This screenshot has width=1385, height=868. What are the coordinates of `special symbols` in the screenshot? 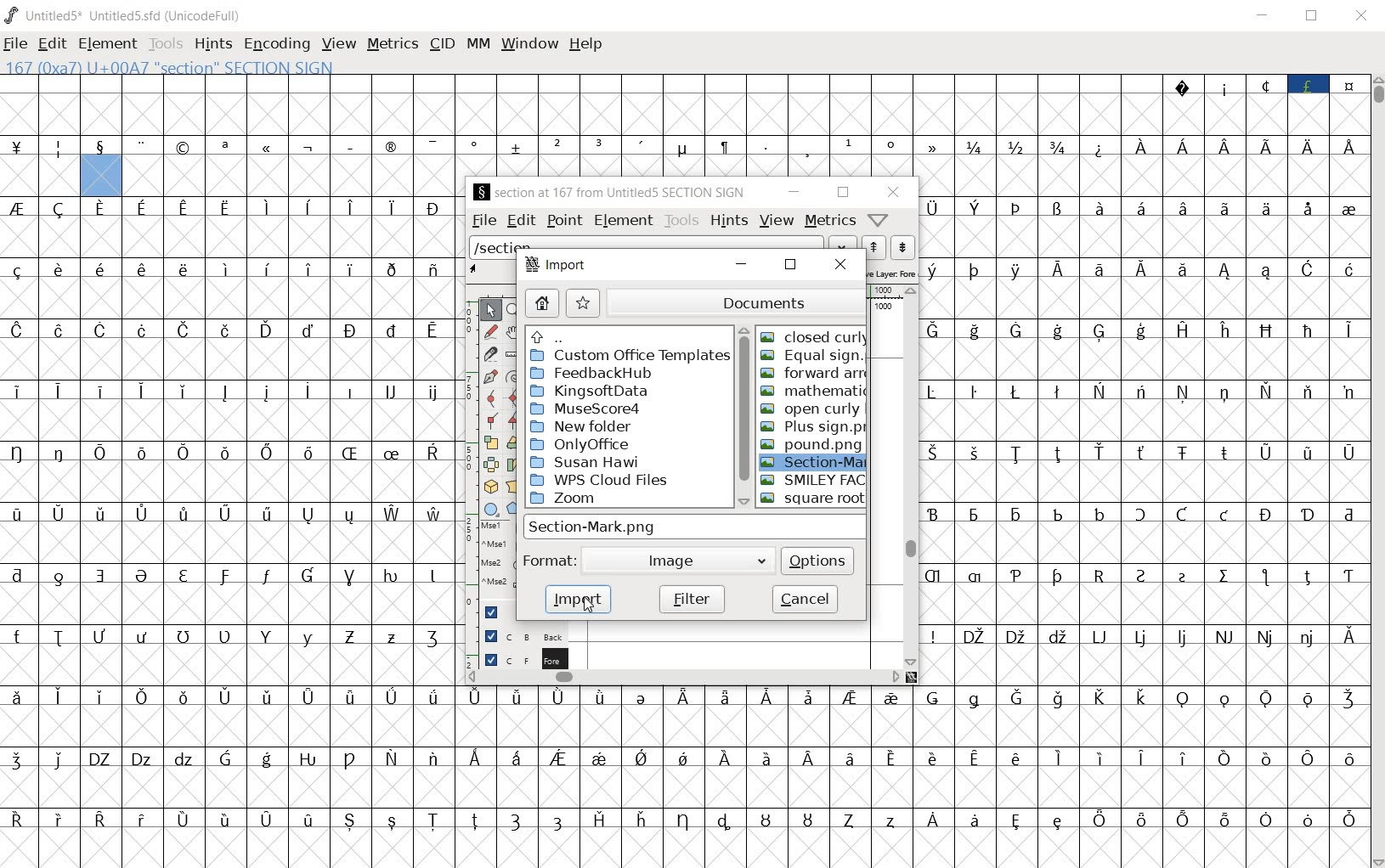 It's located at (482, 148).